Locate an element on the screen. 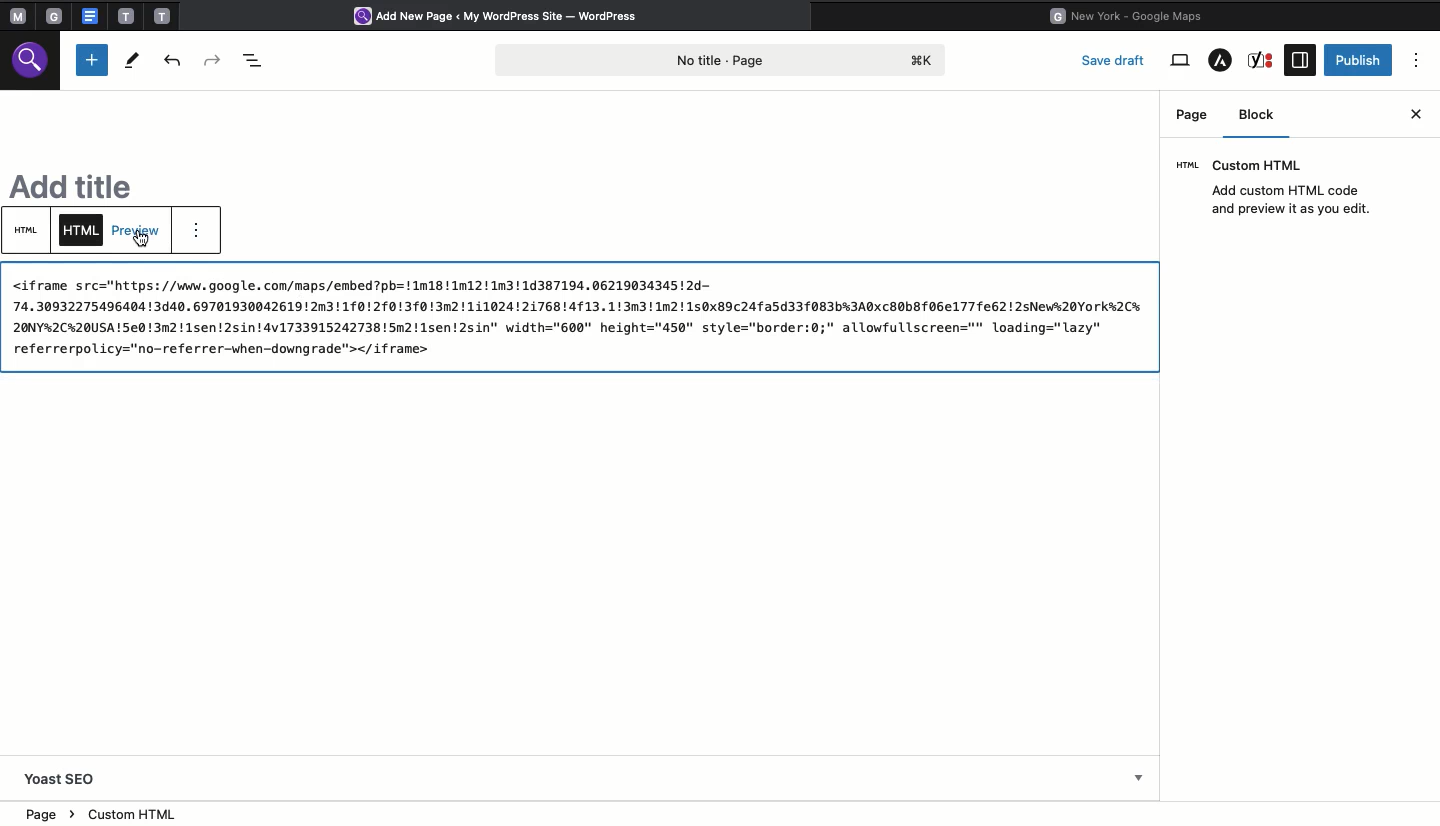 The height and width of the screenshot is (826, 1440). View is located at coordinates (1180, 61).